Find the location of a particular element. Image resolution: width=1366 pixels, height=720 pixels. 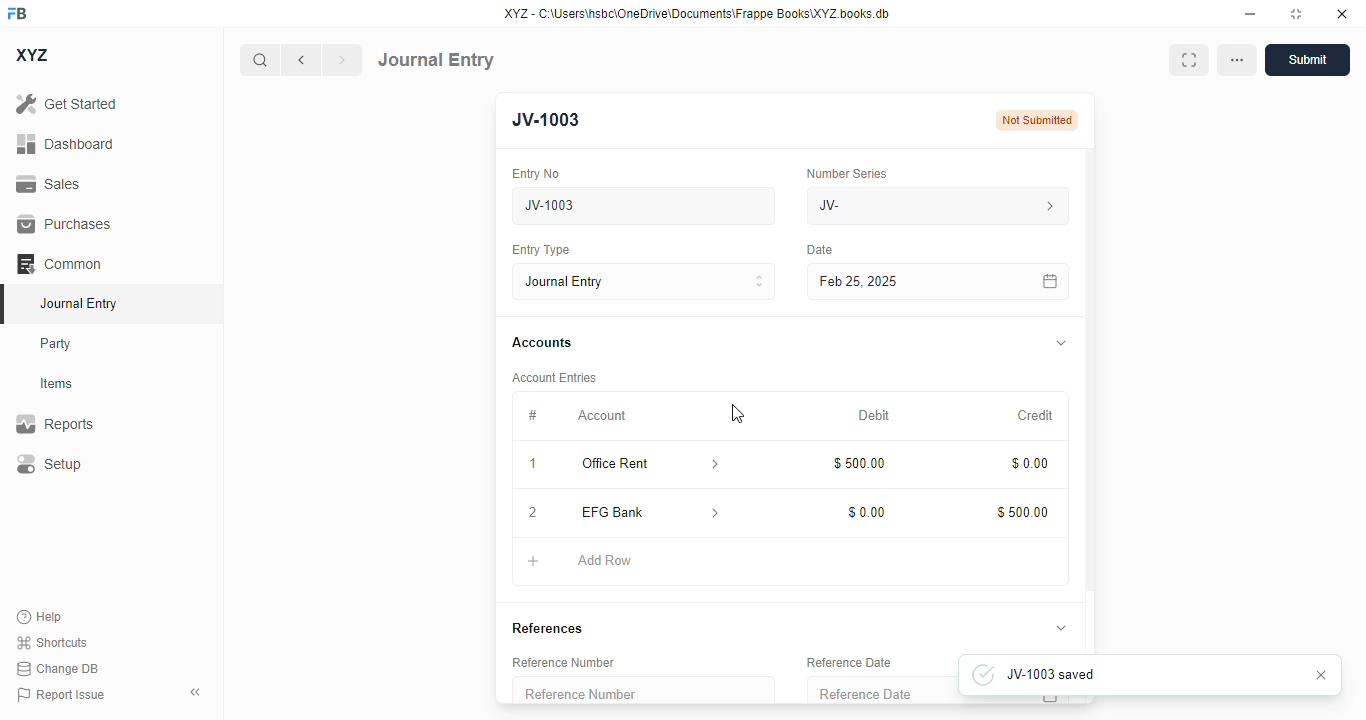

reference number is located at coordinates (643, 690).